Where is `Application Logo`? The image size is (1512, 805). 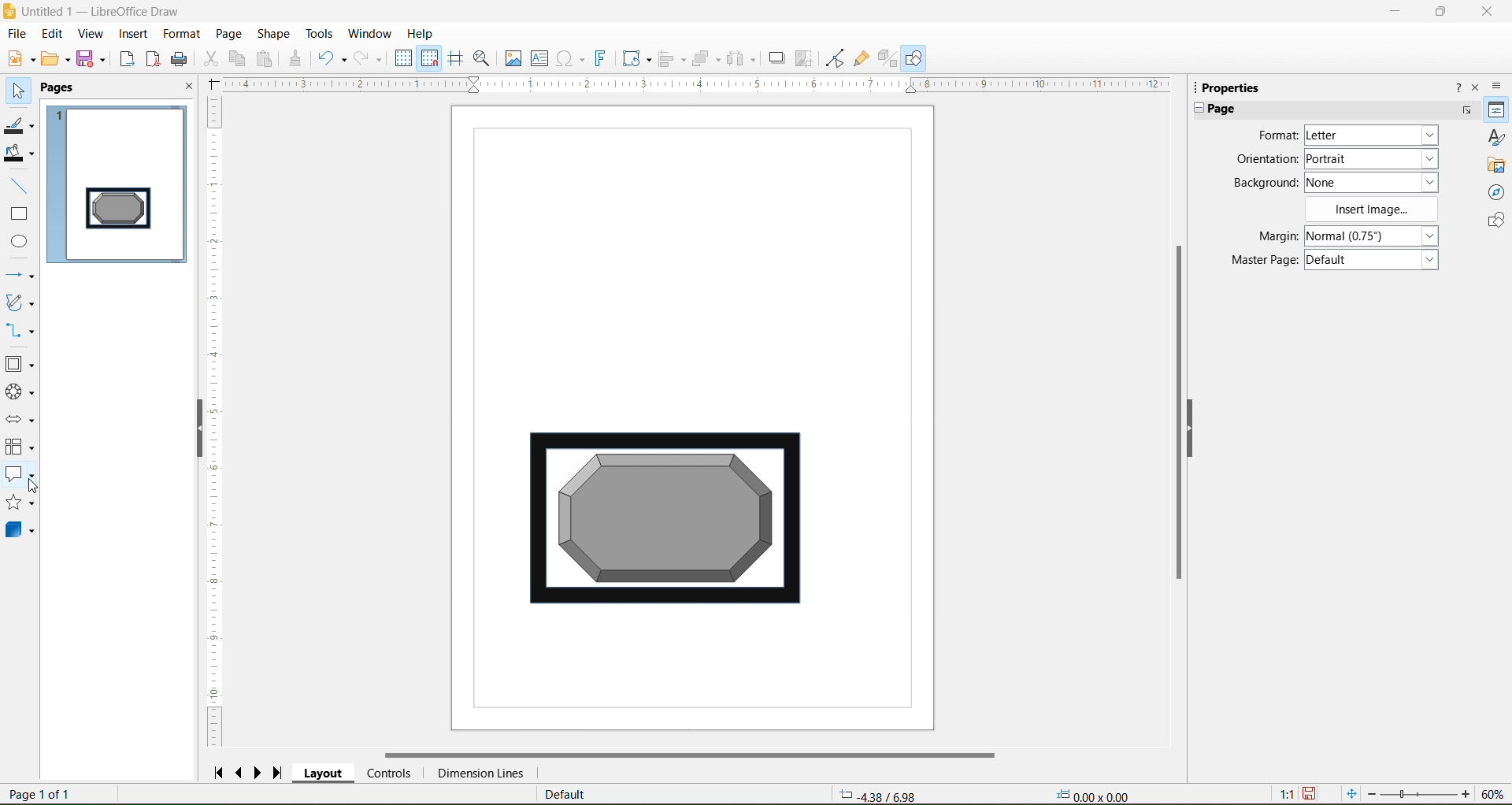
Application Logo is located at coordinates (9, 10).